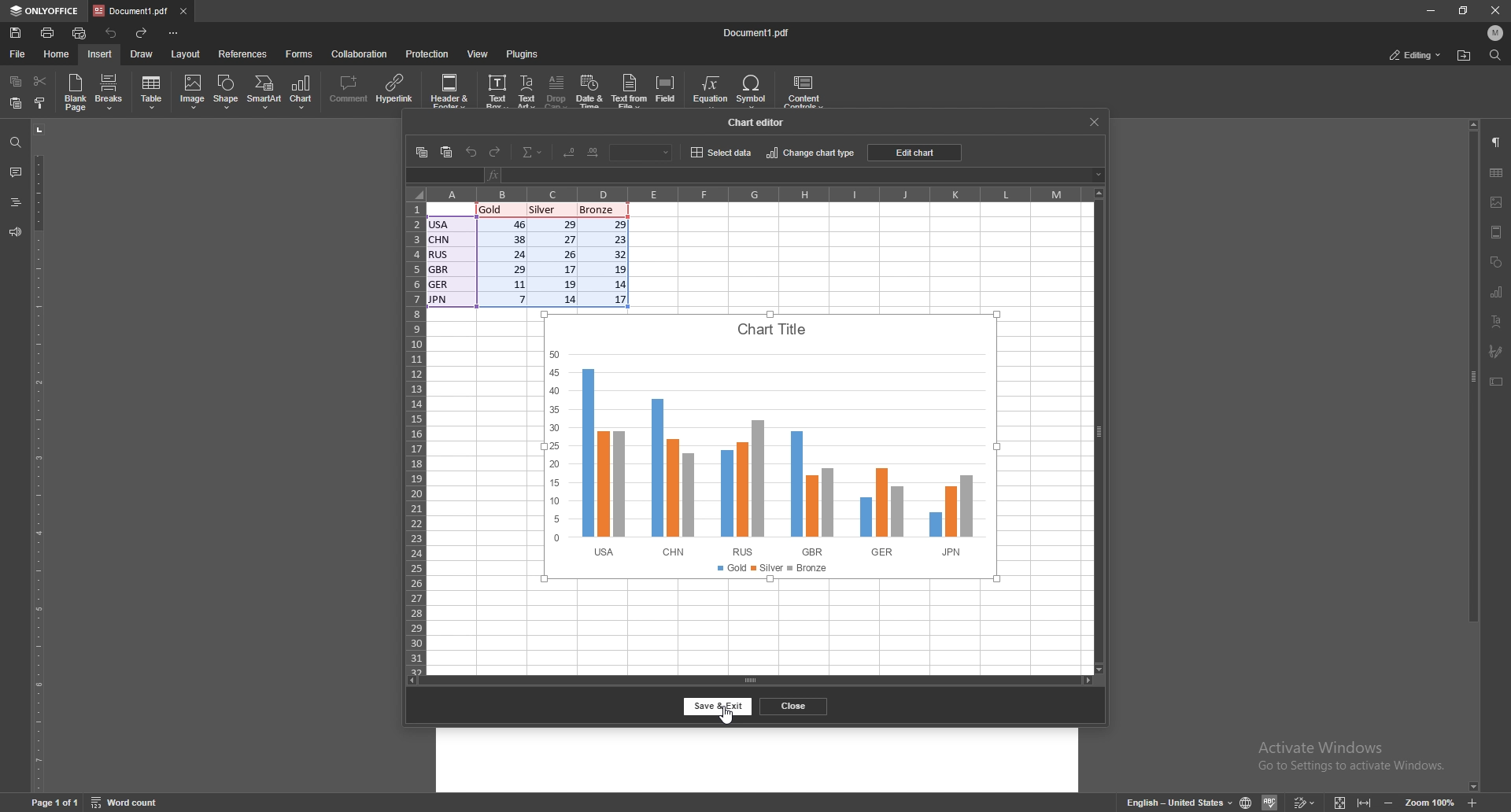 The image size is (1511, 812). What do you see at coordinates (395, 92) in the screenshot?
I see `hyperlink` at bounding box center [395, 92].